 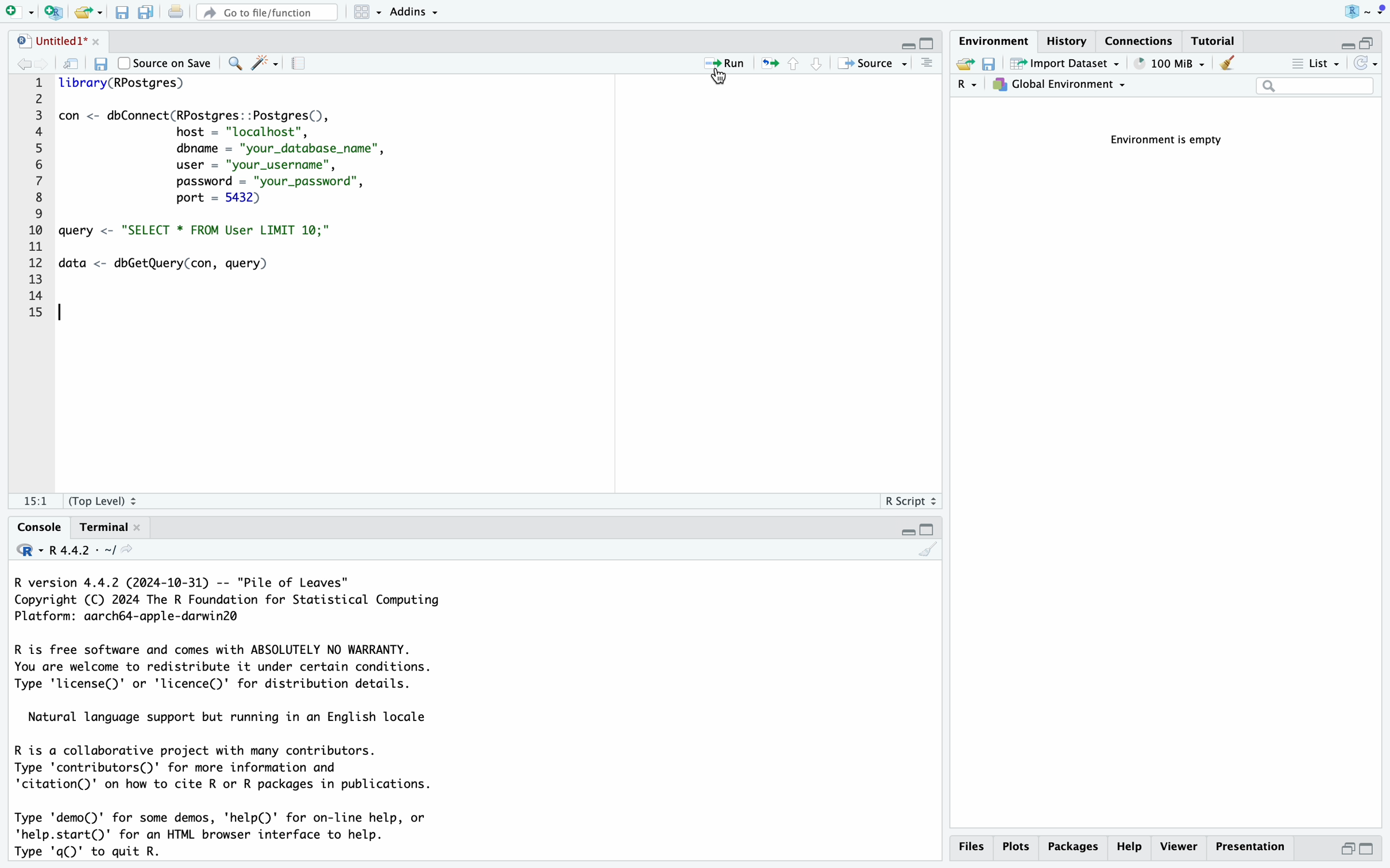 I want to click on global environment, so click(x=1062, y=87).